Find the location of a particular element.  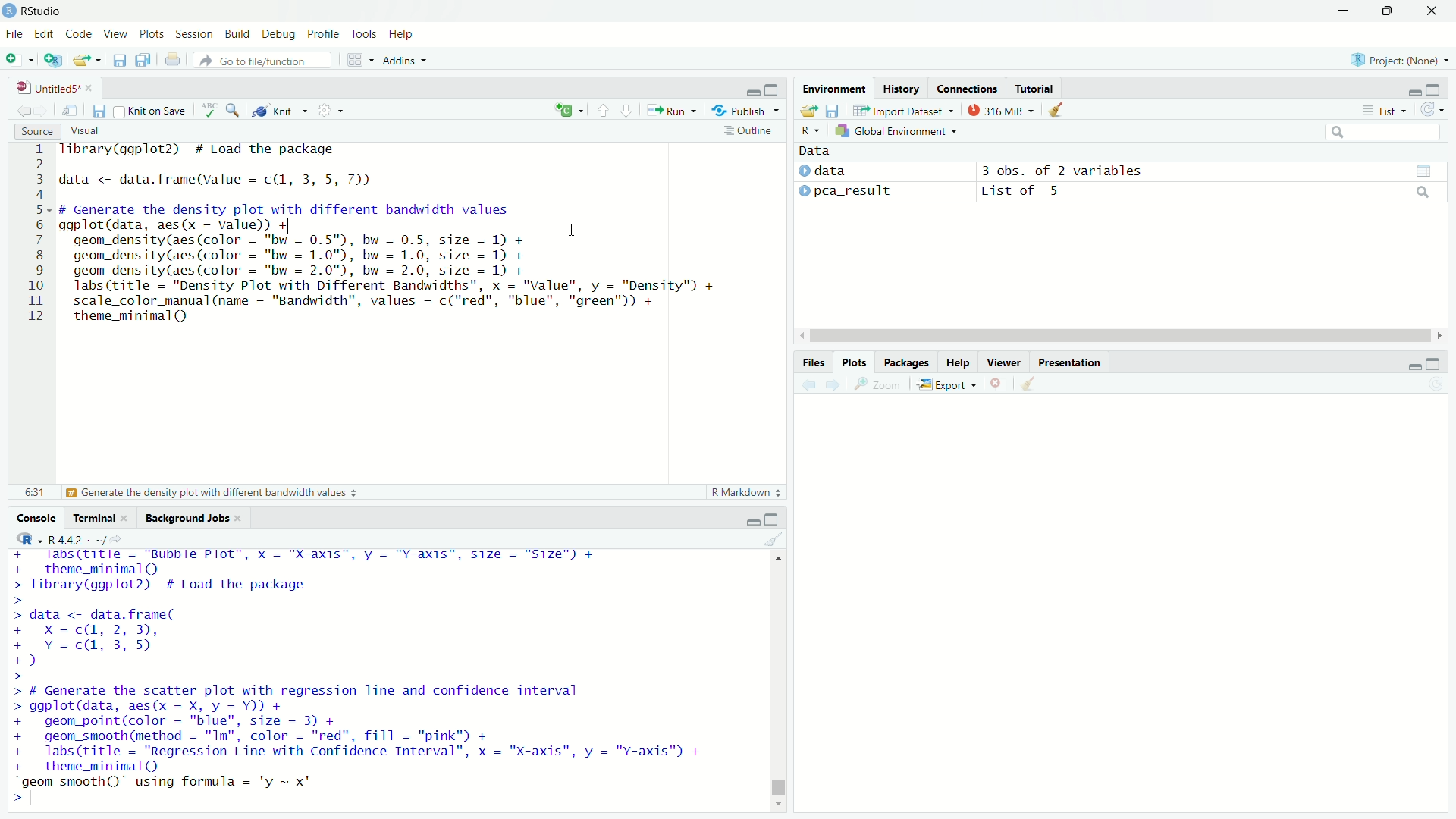

Search is located at coordinates (1383, 132).